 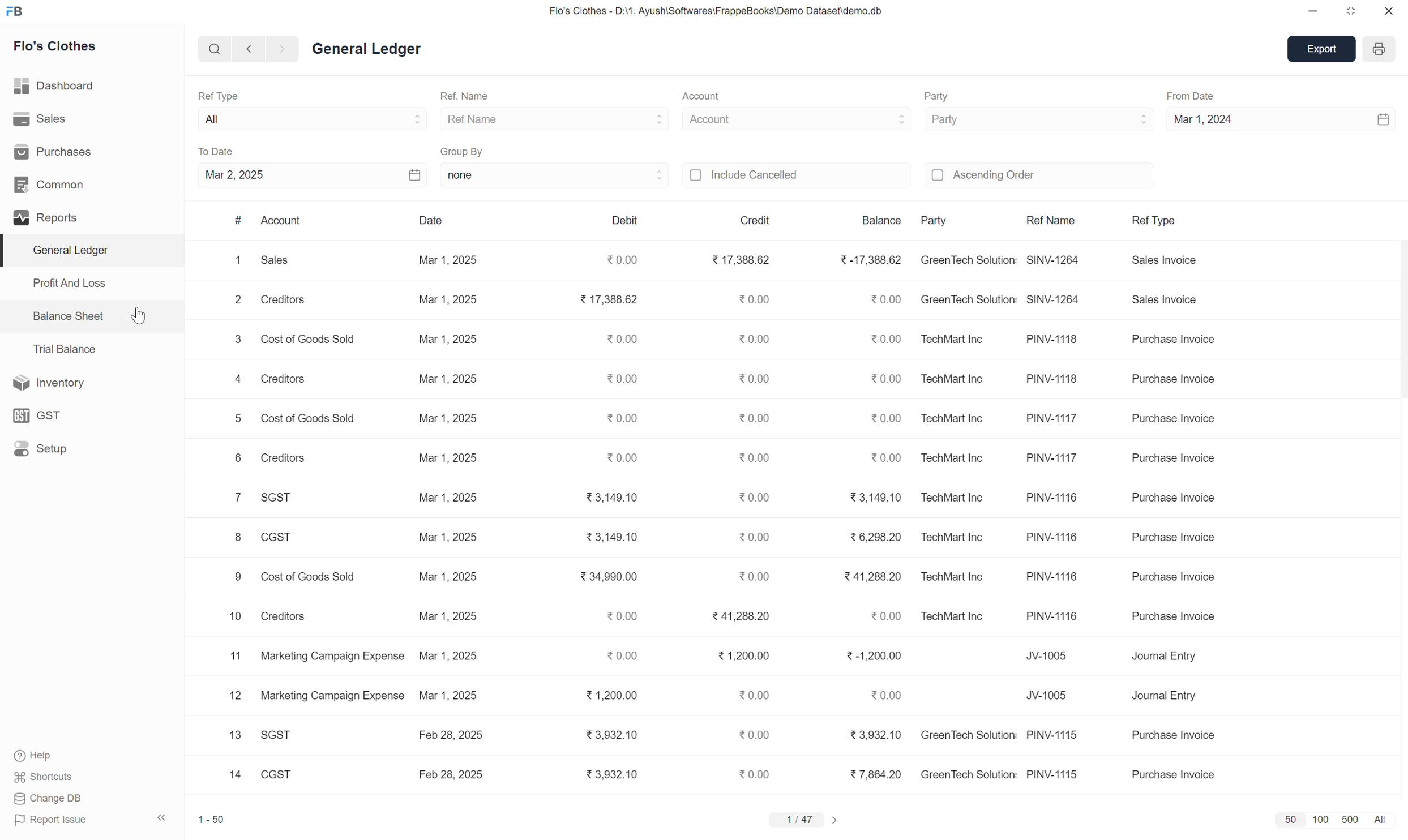 What do you see at coordinates (880, 378) in the screenshot?
I see `0.00` at bounding box center [880, 378].